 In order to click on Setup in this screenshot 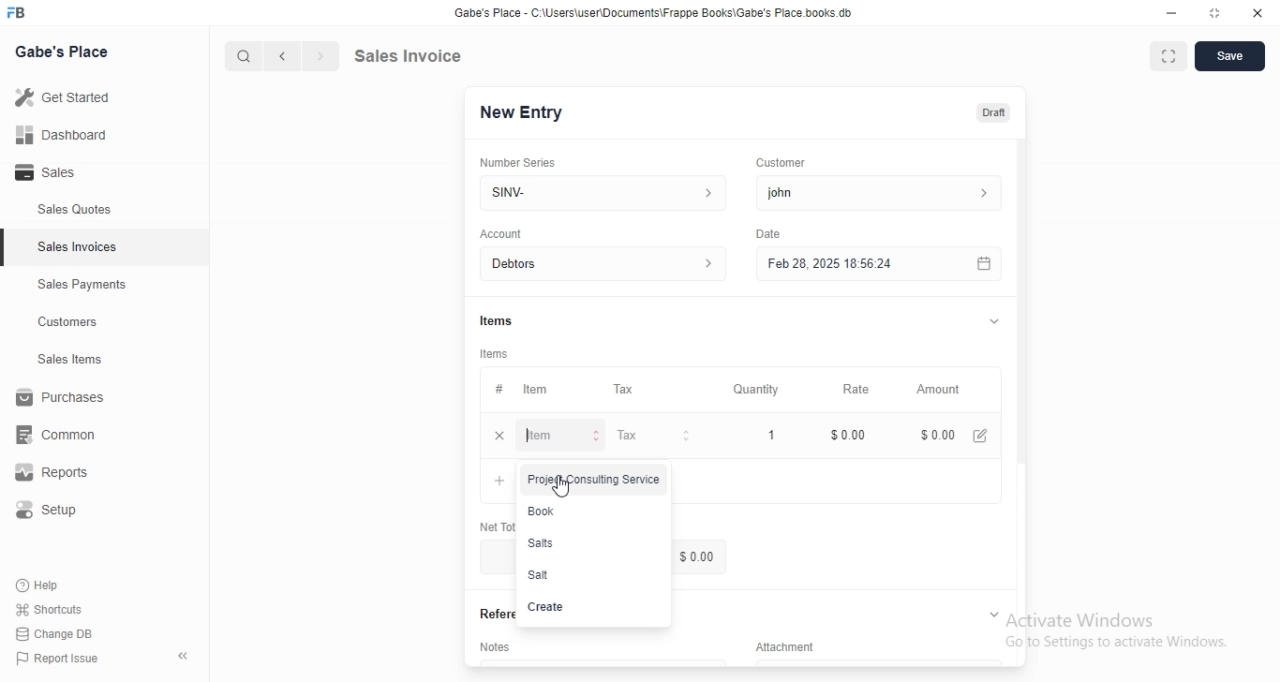, I will do `click(57, 513)`.